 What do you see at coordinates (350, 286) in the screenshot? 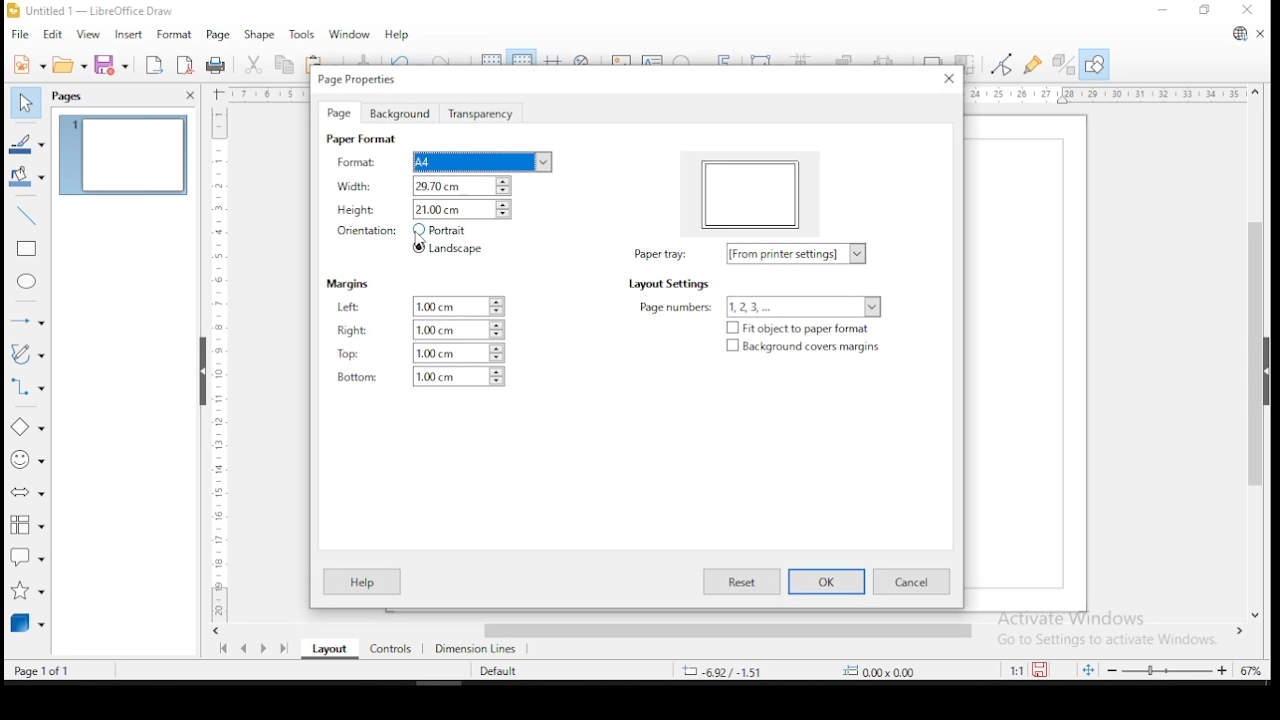
I see `margins` at bounding box center [350, 286].